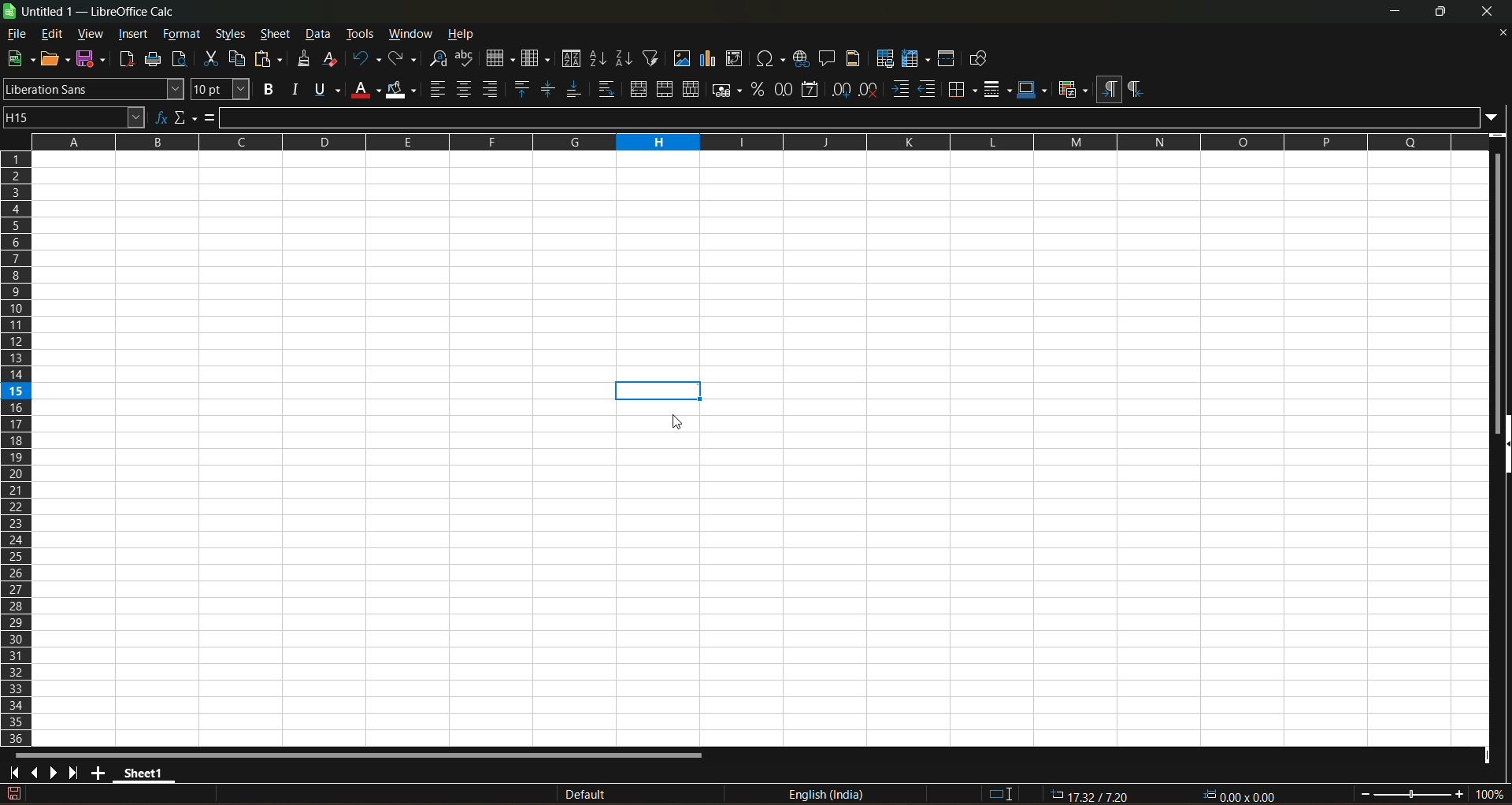 The image size is (1512, 805). Describe the element at coordinates (900, 88) in the screenshot. I see `increase indent` at that location.